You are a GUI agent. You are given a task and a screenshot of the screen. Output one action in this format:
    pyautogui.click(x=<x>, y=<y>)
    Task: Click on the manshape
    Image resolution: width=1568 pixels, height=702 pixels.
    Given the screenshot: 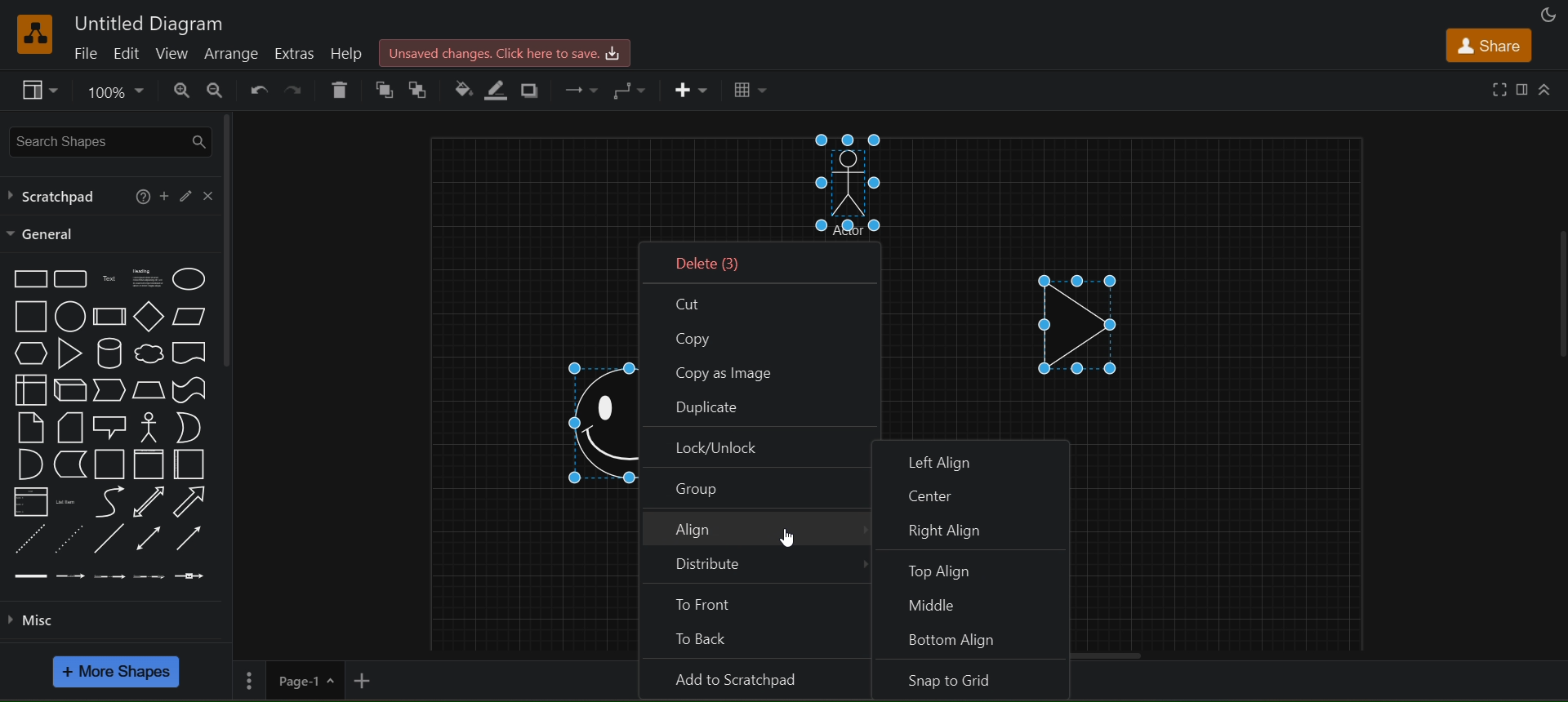 What is the action you would take?
    pyautogui.click(x=857, y=187)
    